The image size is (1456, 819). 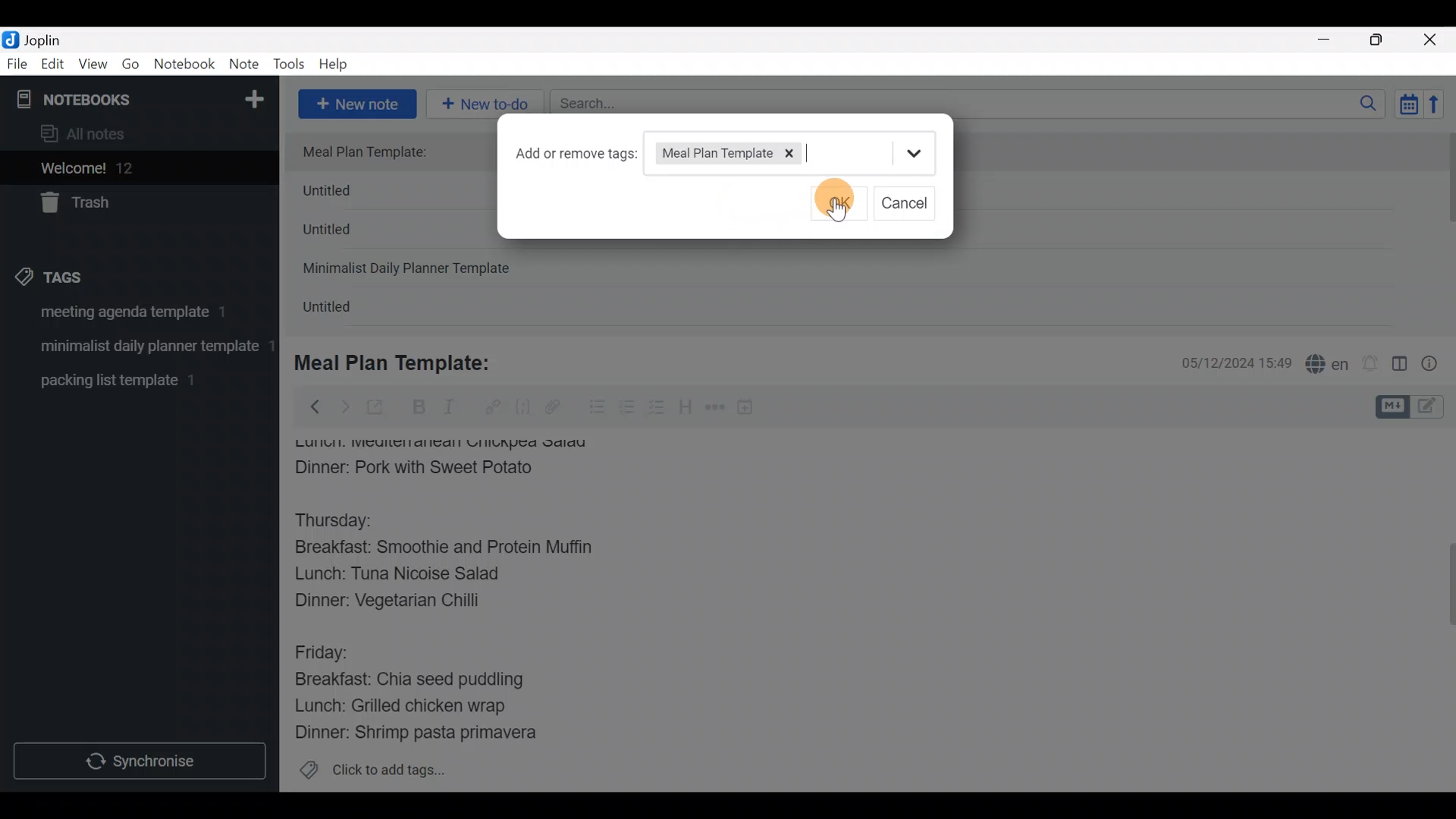 I want to click on Numbered list, so click(x=627, y=410).